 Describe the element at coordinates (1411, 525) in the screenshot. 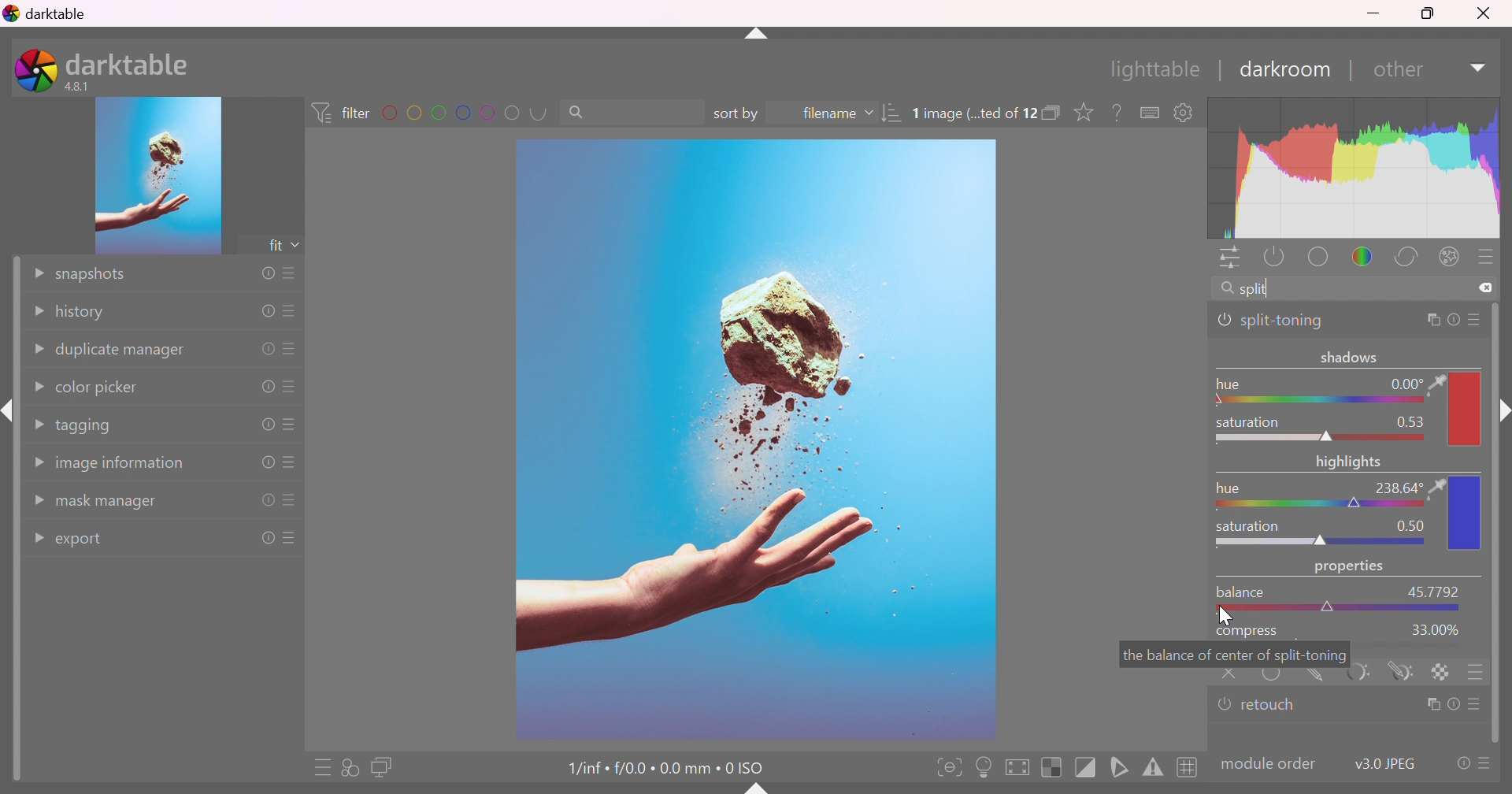

I see `0.50` at that location.